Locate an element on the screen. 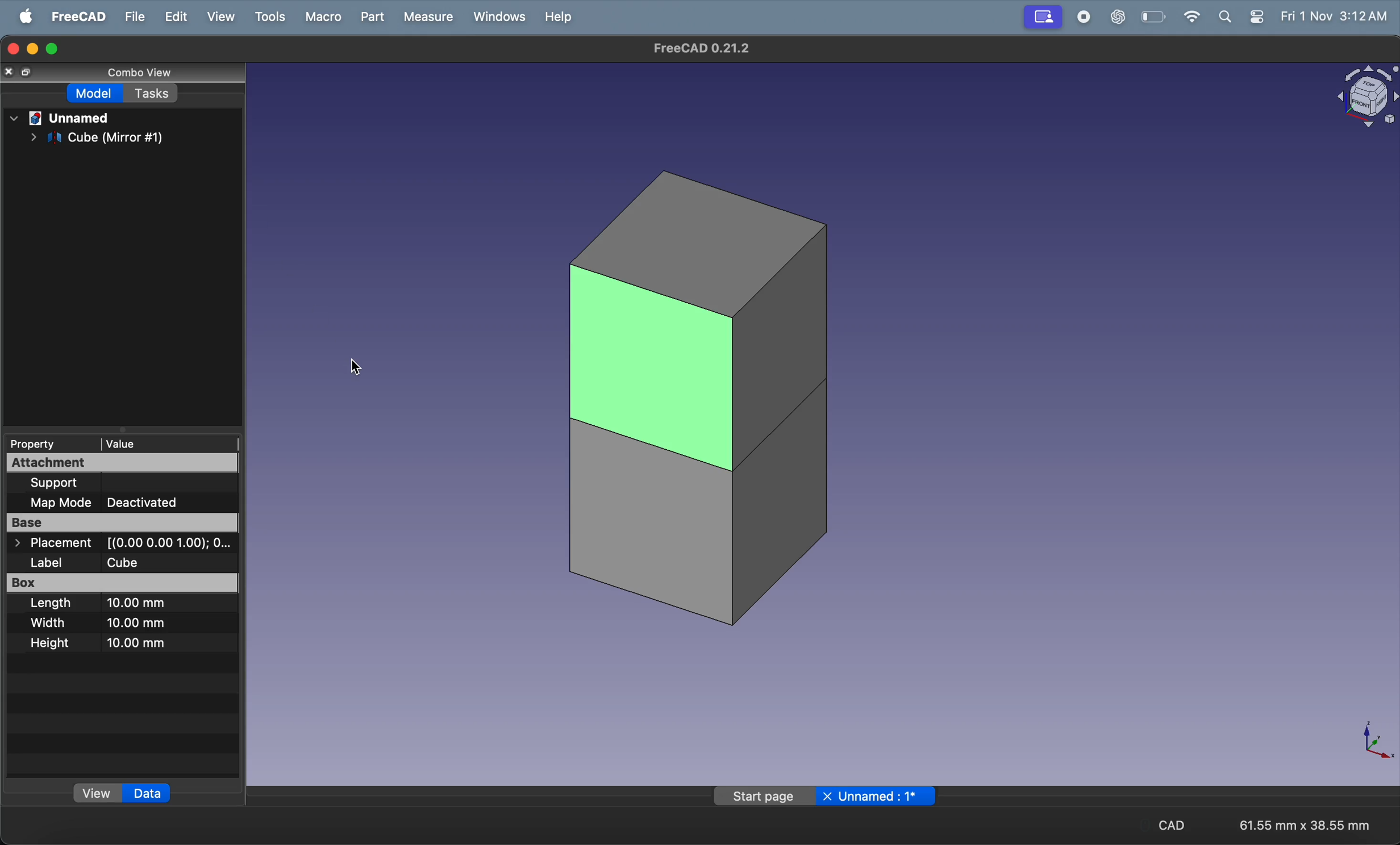 This screenshot has width=1400, height=845. Width      10.00 mm is located at coordinates (111, 624).